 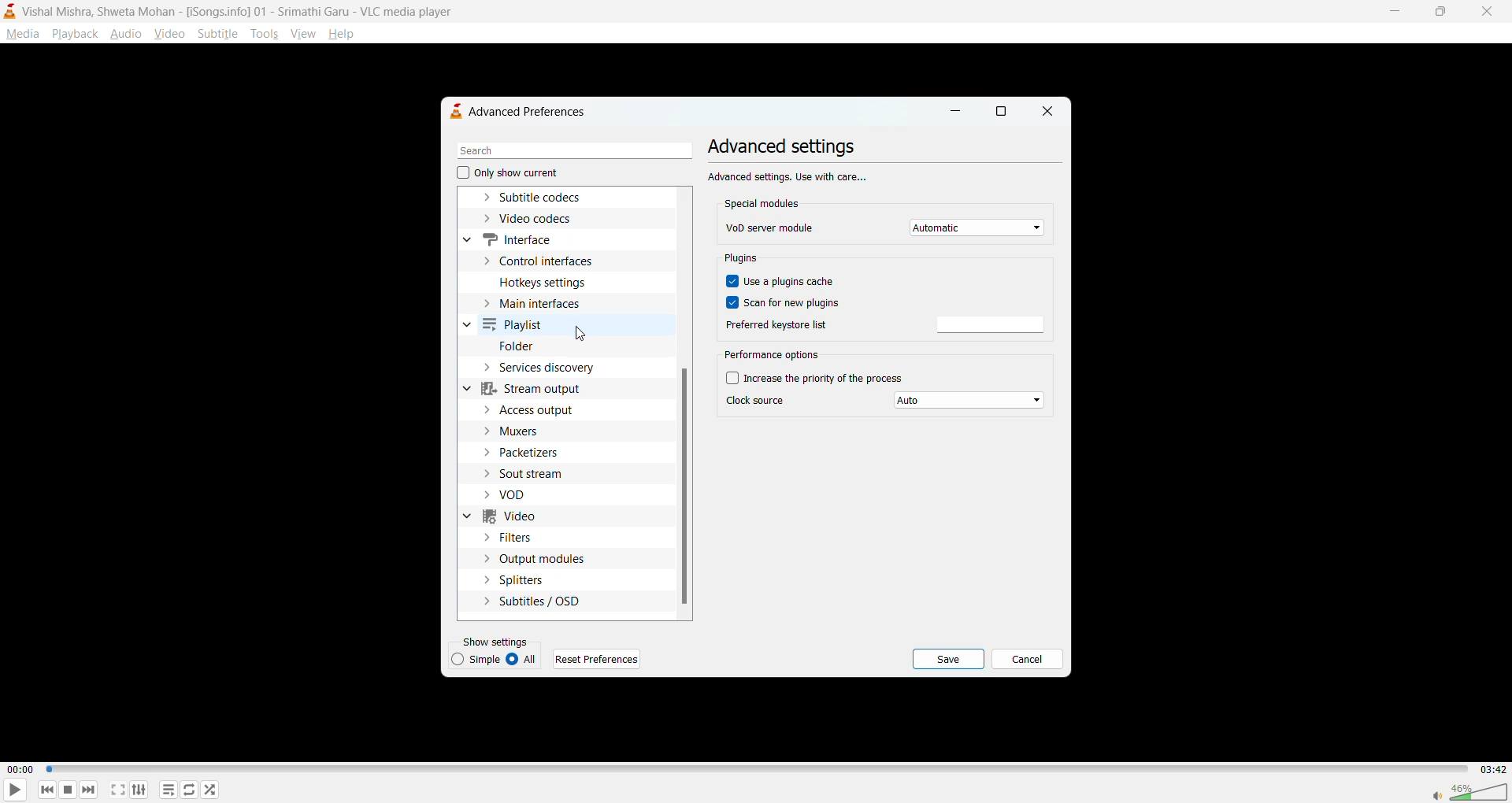 What do you see at coordinates (599, 659) in the screenshot?
I see `reset preferences` at bounding box center [599, 659].